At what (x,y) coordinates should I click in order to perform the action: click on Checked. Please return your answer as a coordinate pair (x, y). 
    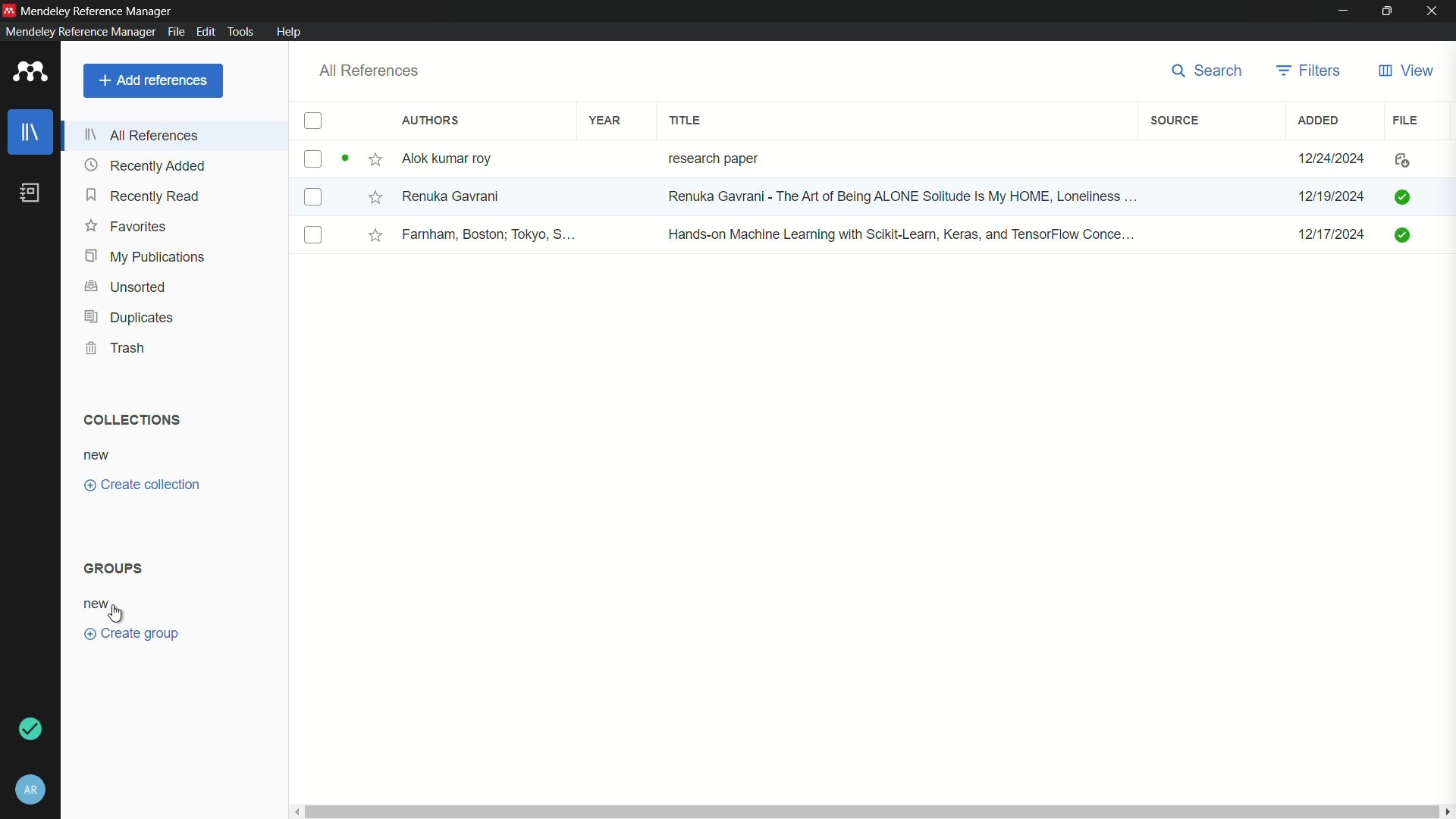
    Looking at the image, I should click on (1401, 196).